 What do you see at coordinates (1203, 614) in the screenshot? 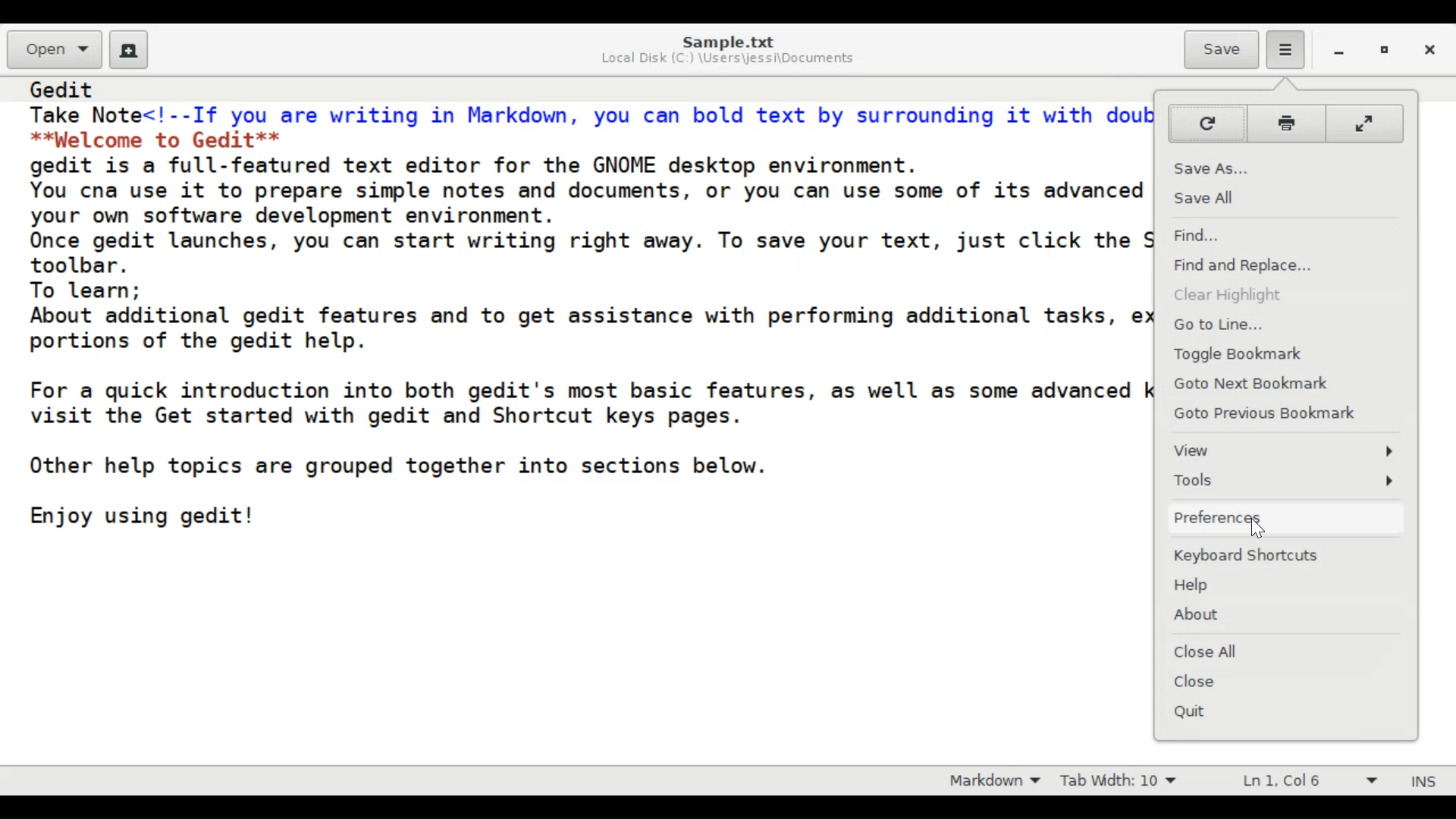
I see `About` at bounding box center [1203, 614].